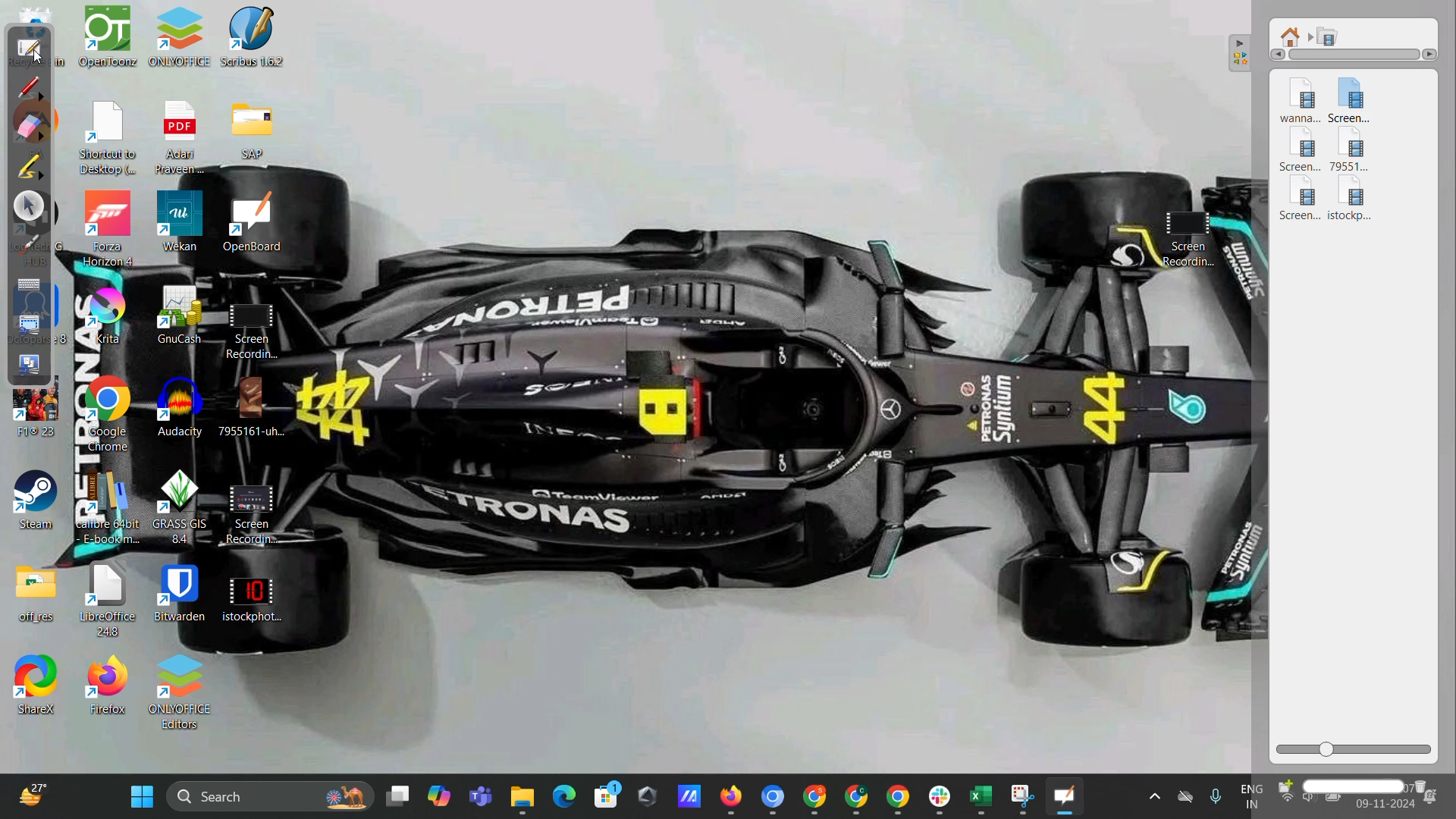 This screenshot has width=1456, height=819. I want to click on Minimized file explorer, so click(518, 798).